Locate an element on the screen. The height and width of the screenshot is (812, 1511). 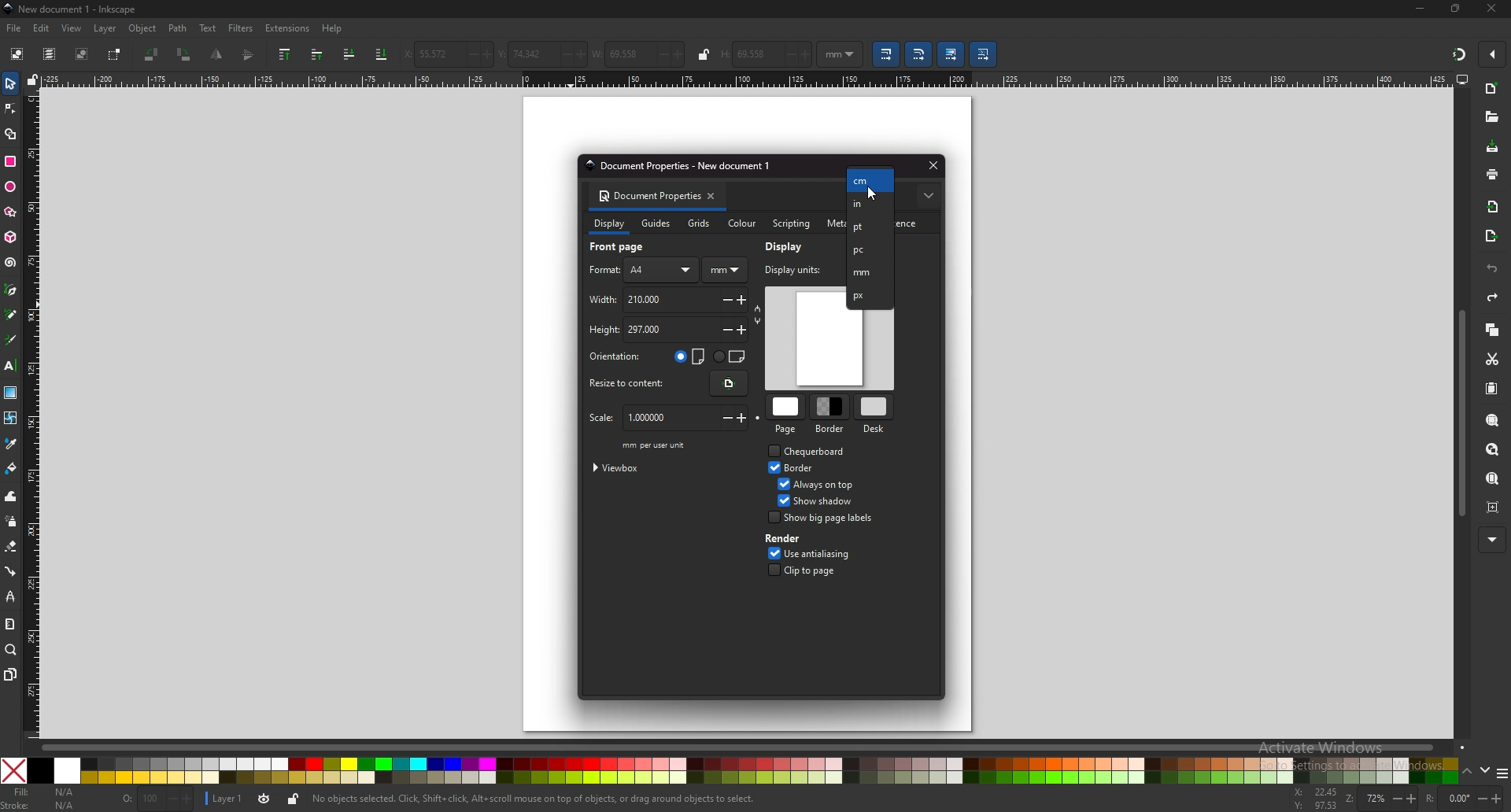
resize to content is located at coordinates (633, 384).